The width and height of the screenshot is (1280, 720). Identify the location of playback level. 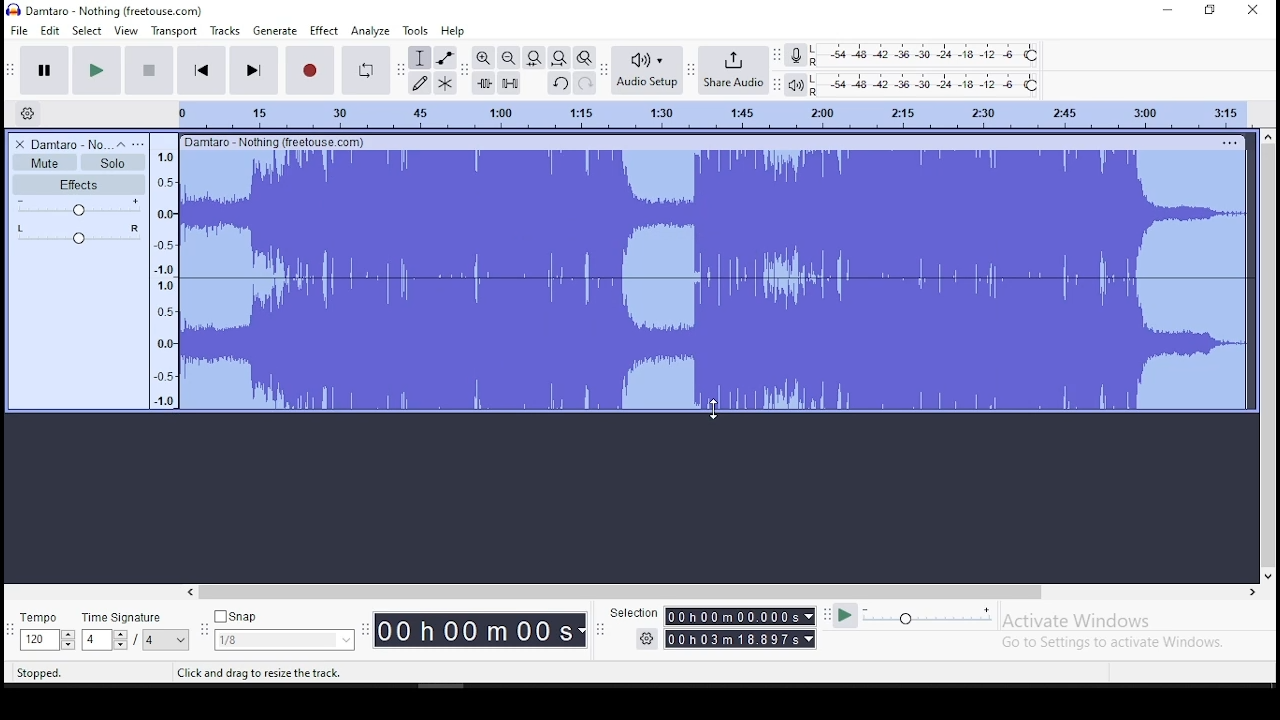
(925, 84).